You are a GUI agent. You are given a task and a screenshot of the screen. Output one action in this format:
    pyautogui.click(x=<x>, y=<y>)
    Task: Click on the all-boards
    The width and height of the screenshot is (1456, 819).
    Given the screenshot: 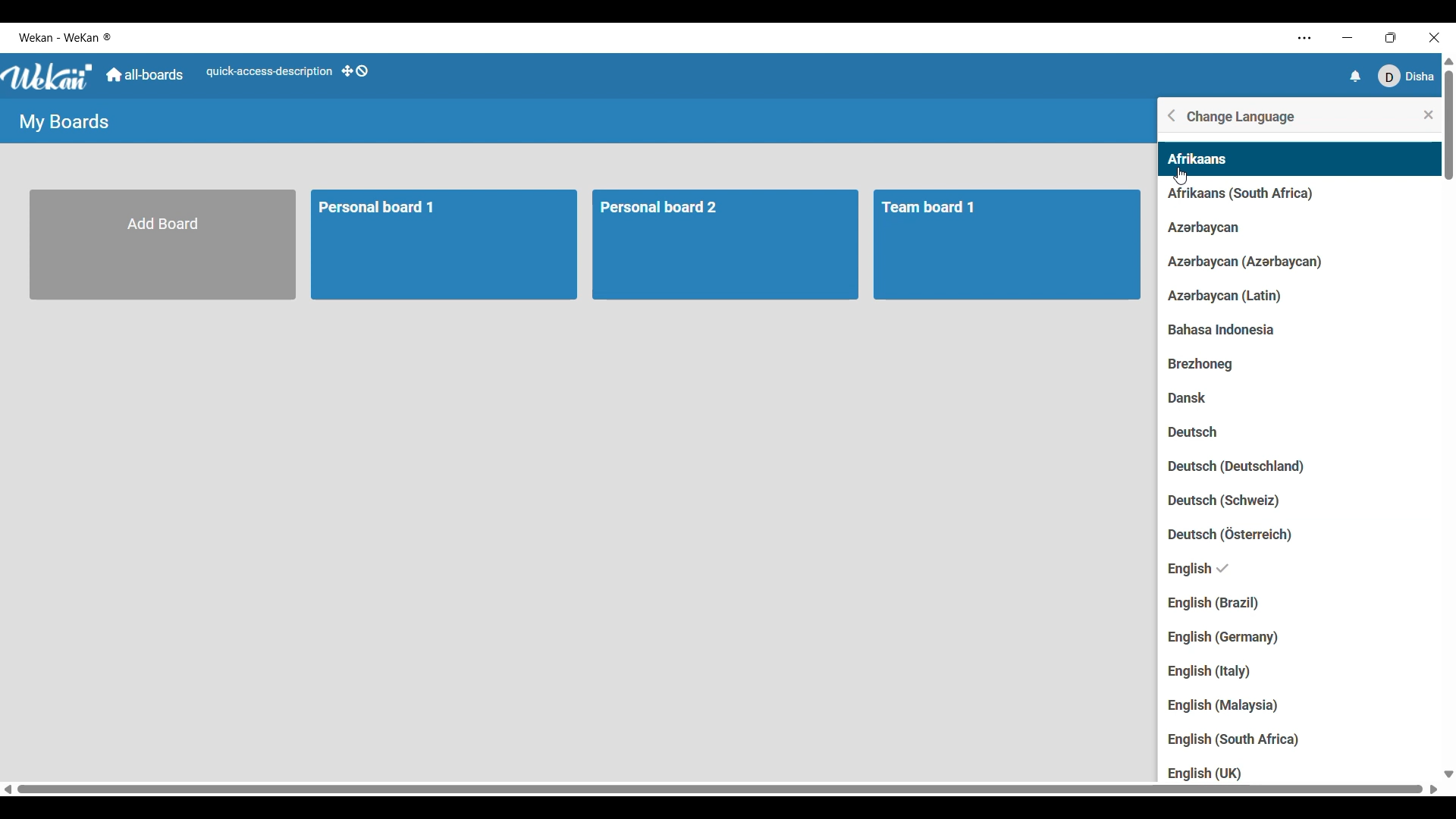 What is the action you would take?
    pyautogui.click(x=145, y=75)
    